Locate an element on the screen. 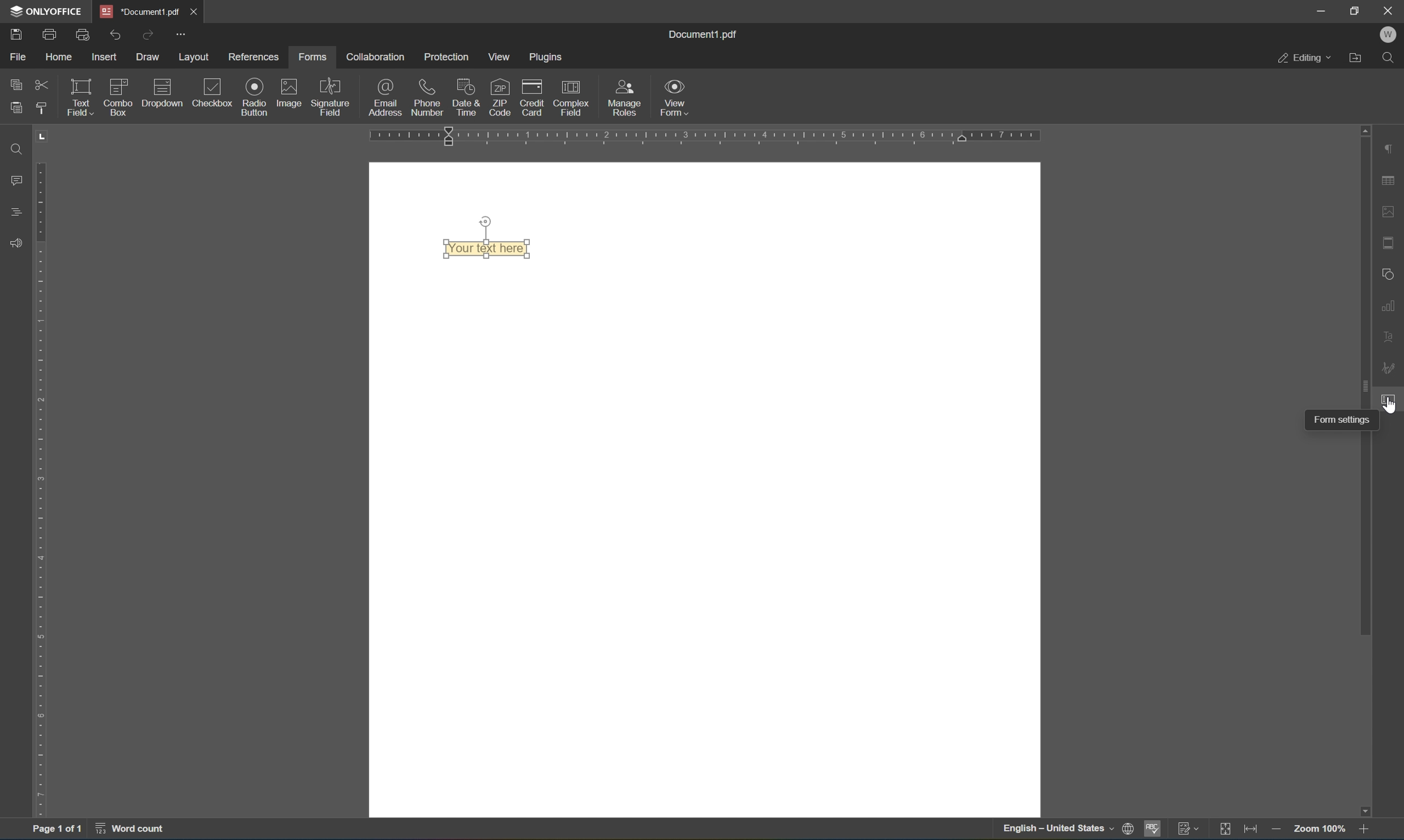  quick print is located at coordinates (83, 35).